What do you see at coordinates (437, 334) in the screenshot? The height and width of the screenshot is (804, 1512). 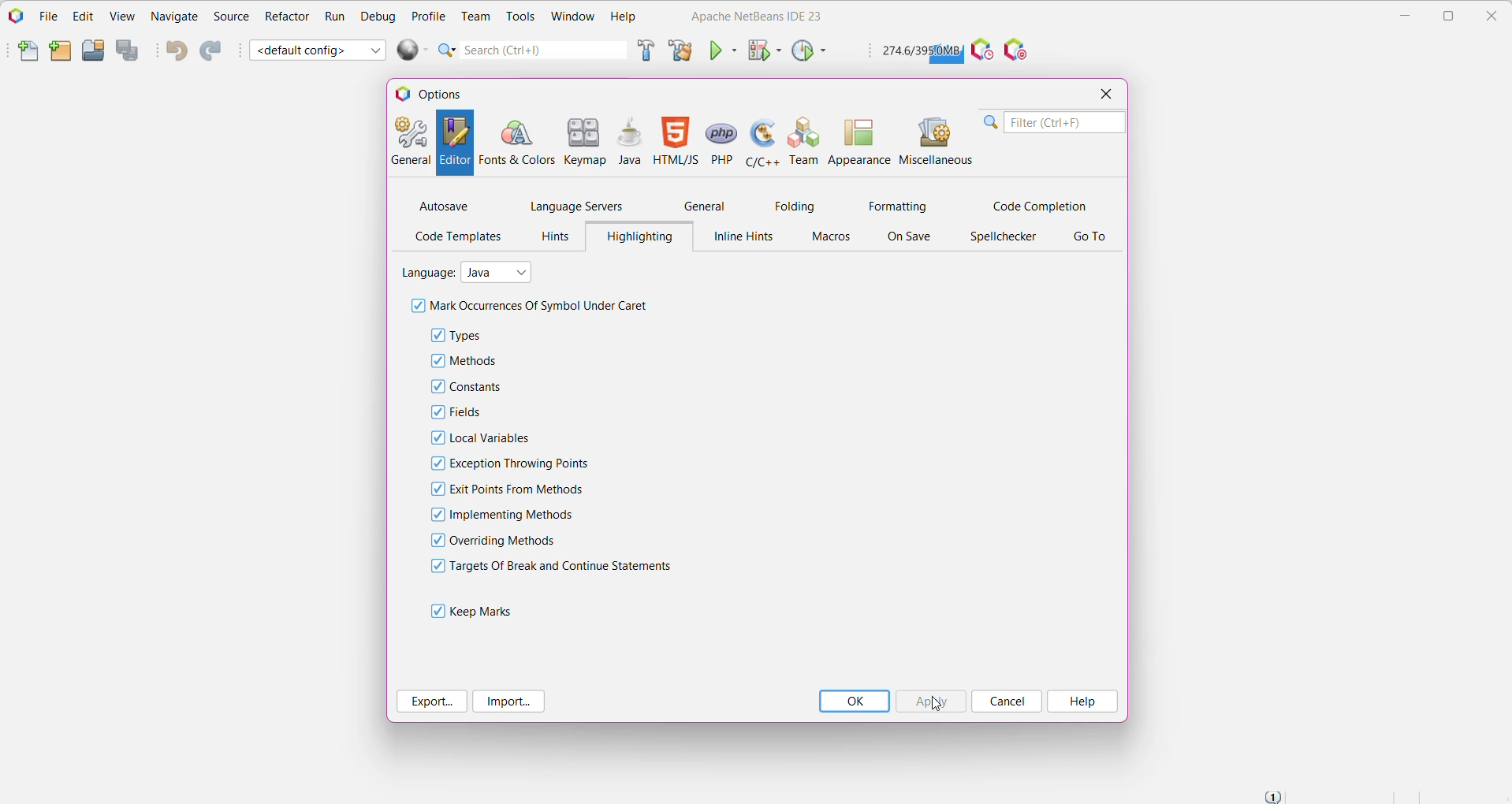 I see `checkbox` at bounding box center [437, 334].